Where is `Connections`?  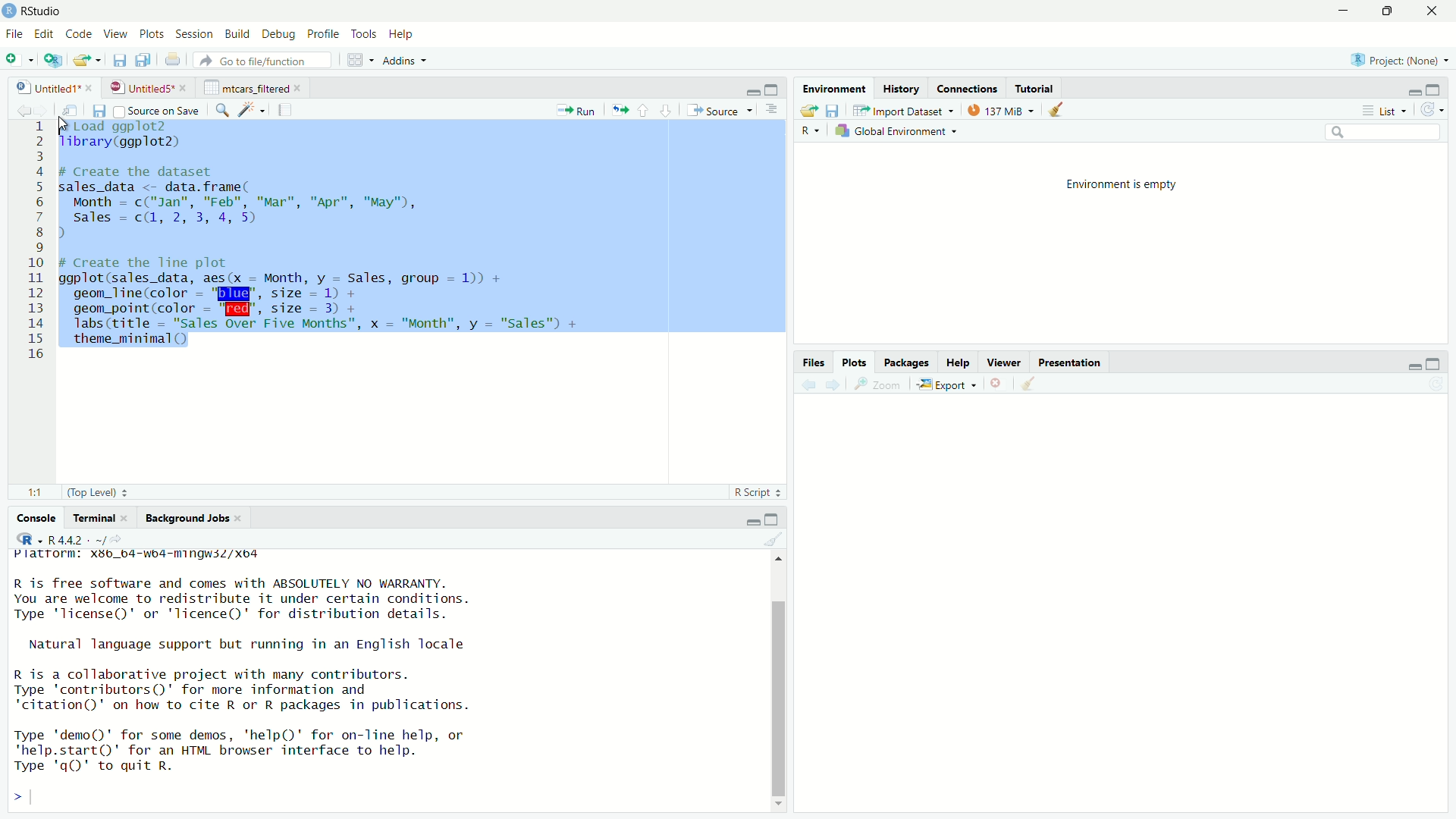
Connections is located at coordinates (968, 89).